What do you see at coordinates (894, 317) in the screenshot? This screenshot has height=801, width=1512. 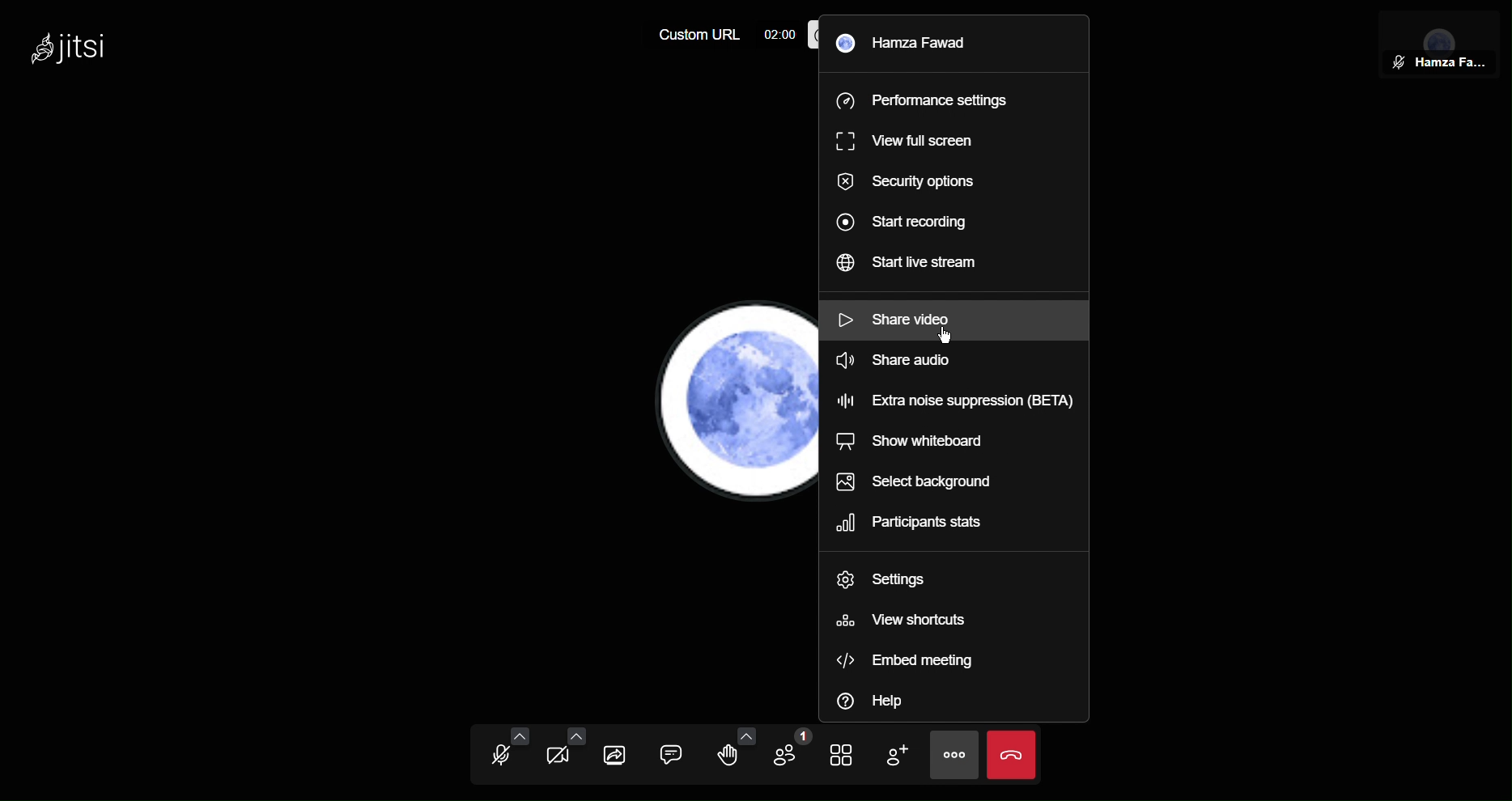 I see `Share video` at bounding box center [894, 317].